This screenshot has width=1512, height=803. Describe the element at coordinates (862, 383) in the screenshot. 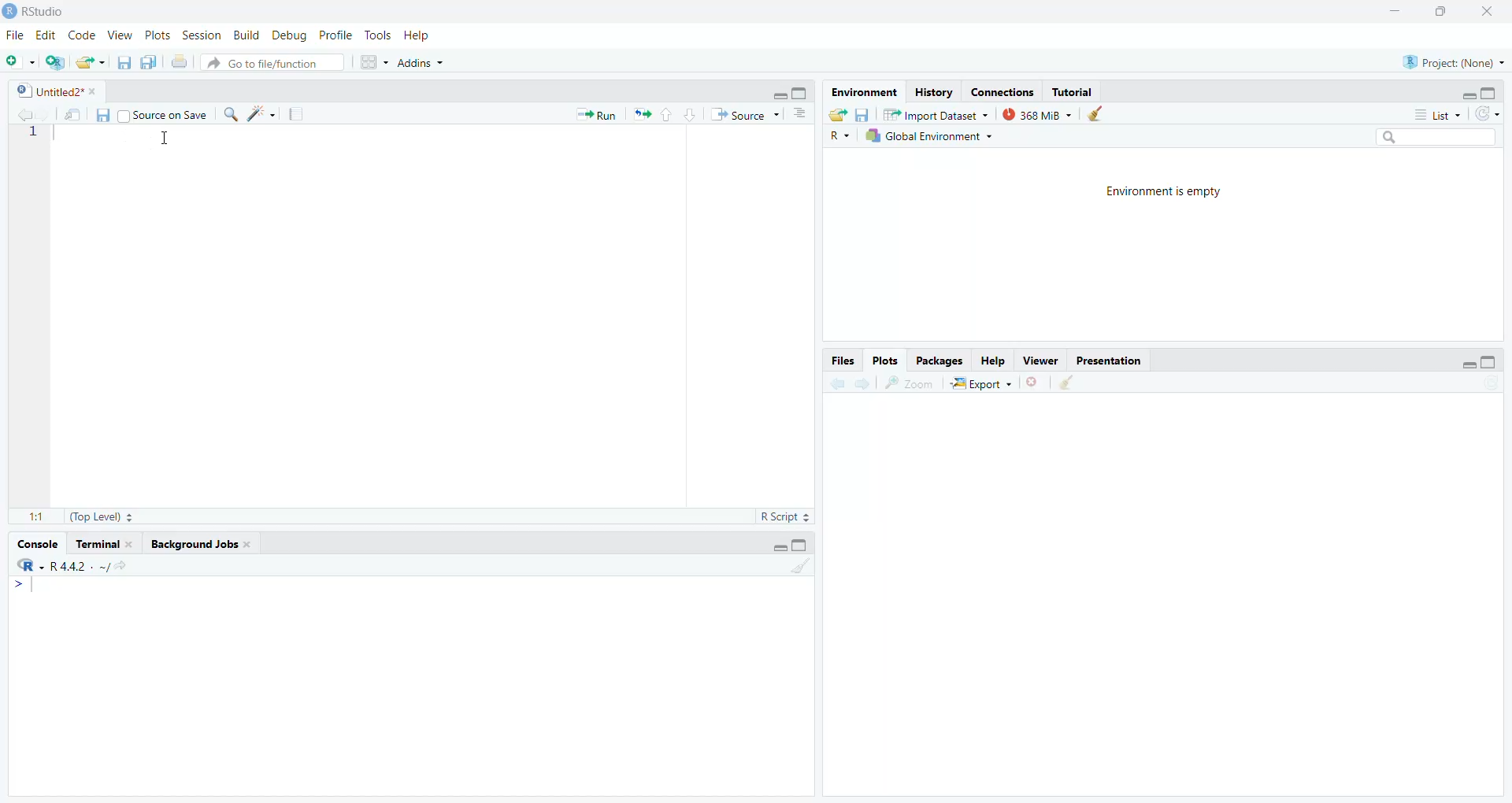

I see `next` at that location.